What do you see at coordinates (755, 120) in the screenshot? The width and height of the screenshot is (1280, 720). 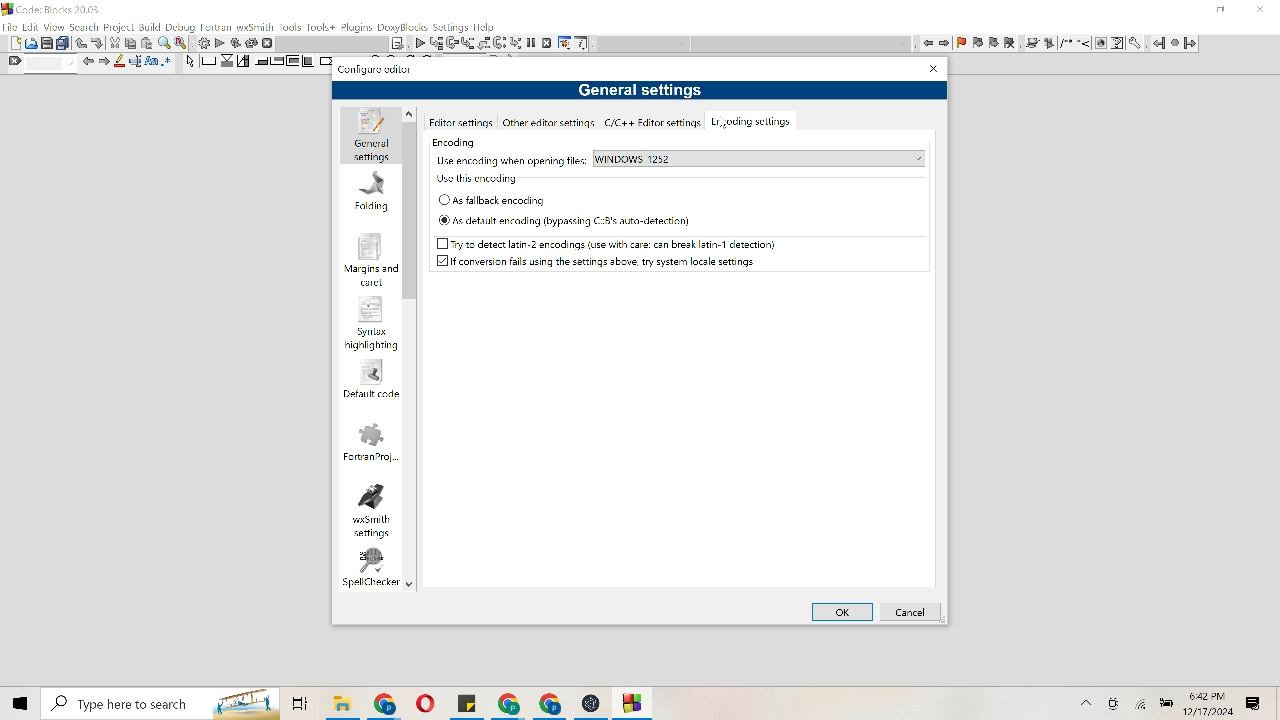 I see `Encoding settings` at bounding box center [755, 120].